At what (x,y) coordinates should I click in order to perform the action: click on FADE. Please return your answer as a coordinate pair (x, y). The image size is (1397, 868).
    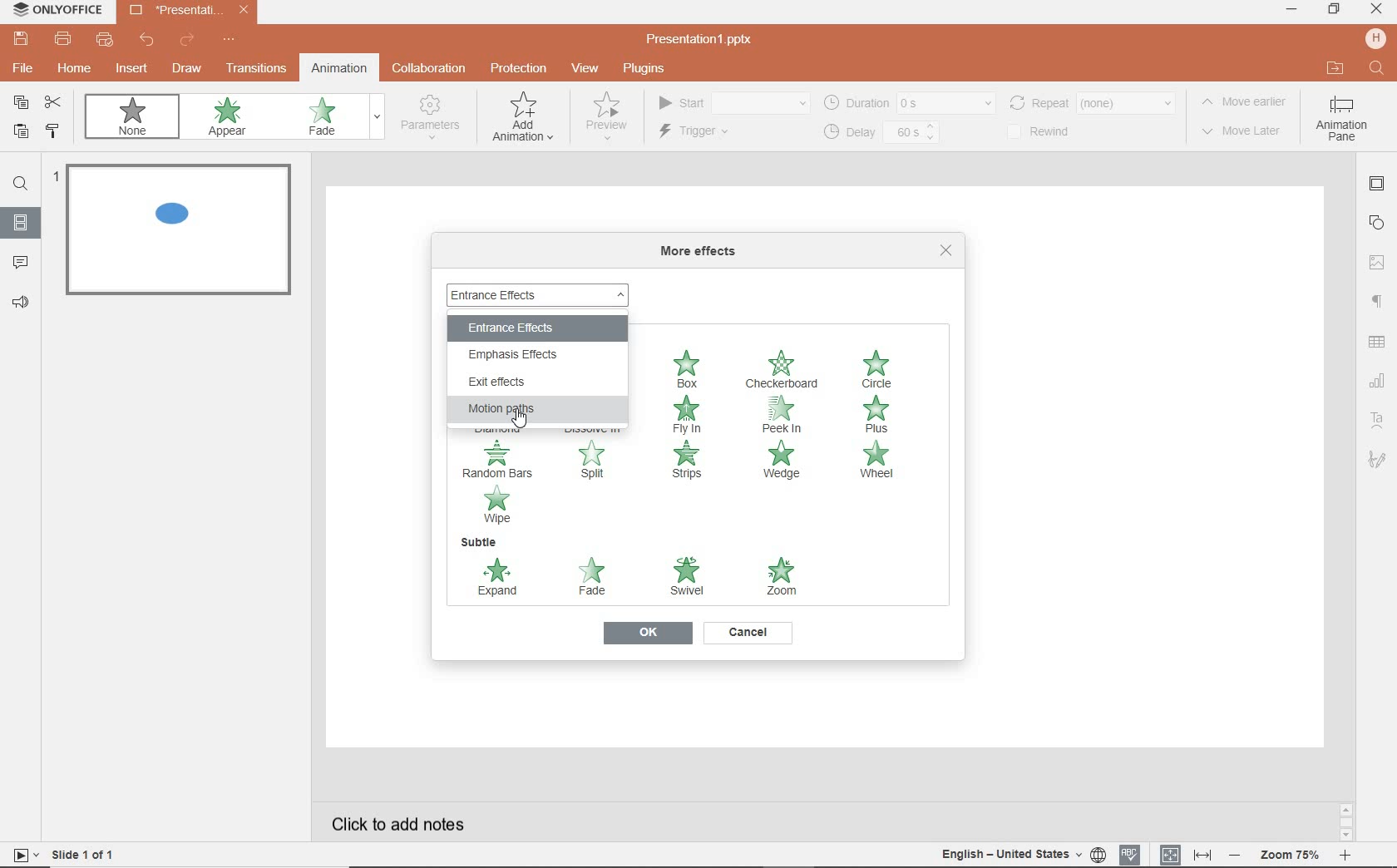
    Looking at the image, I should click on (596, 579).